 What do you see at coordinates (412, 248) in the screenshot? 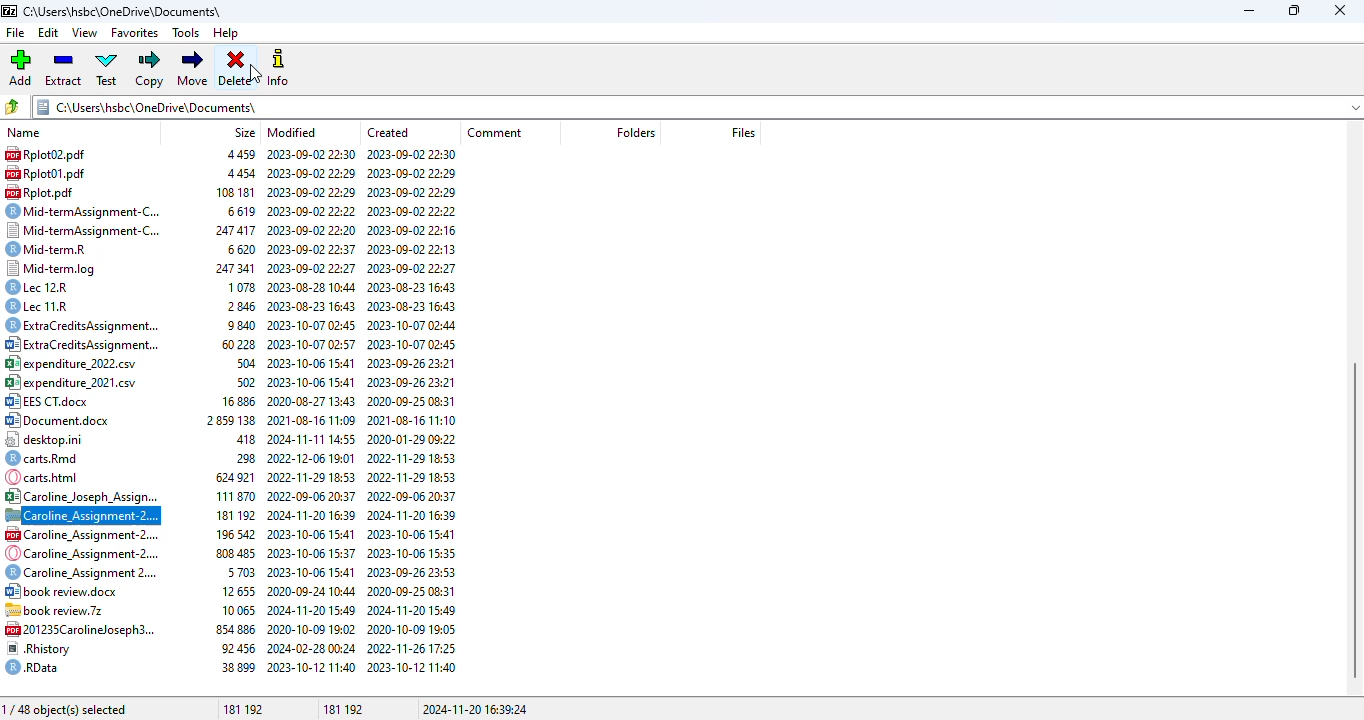
I see `2023-09-02 22:13` at bounding box center [412, 248].